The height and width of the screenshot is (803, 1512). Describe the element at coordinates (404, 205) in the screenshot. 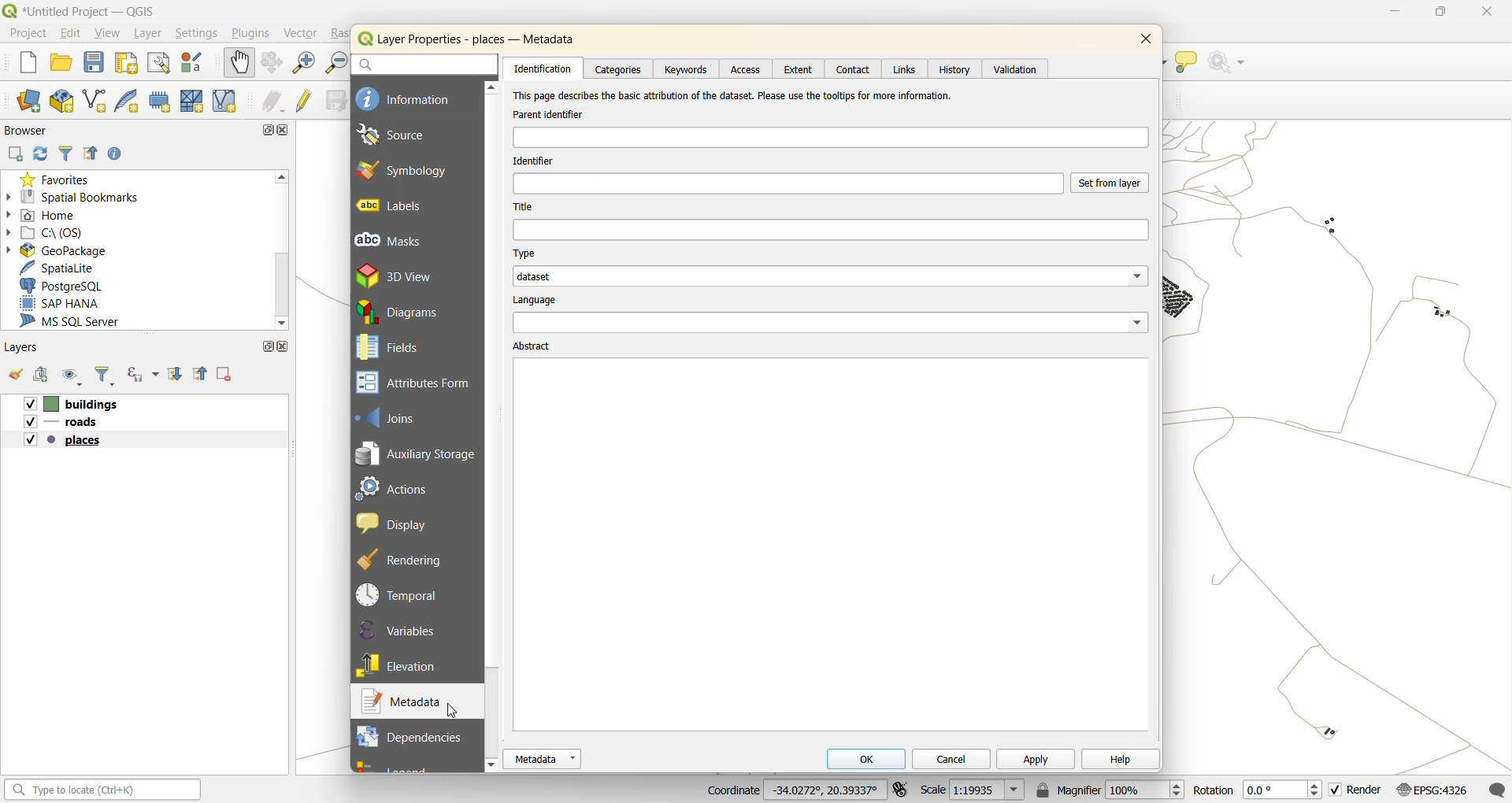

I see `labels` at that location.